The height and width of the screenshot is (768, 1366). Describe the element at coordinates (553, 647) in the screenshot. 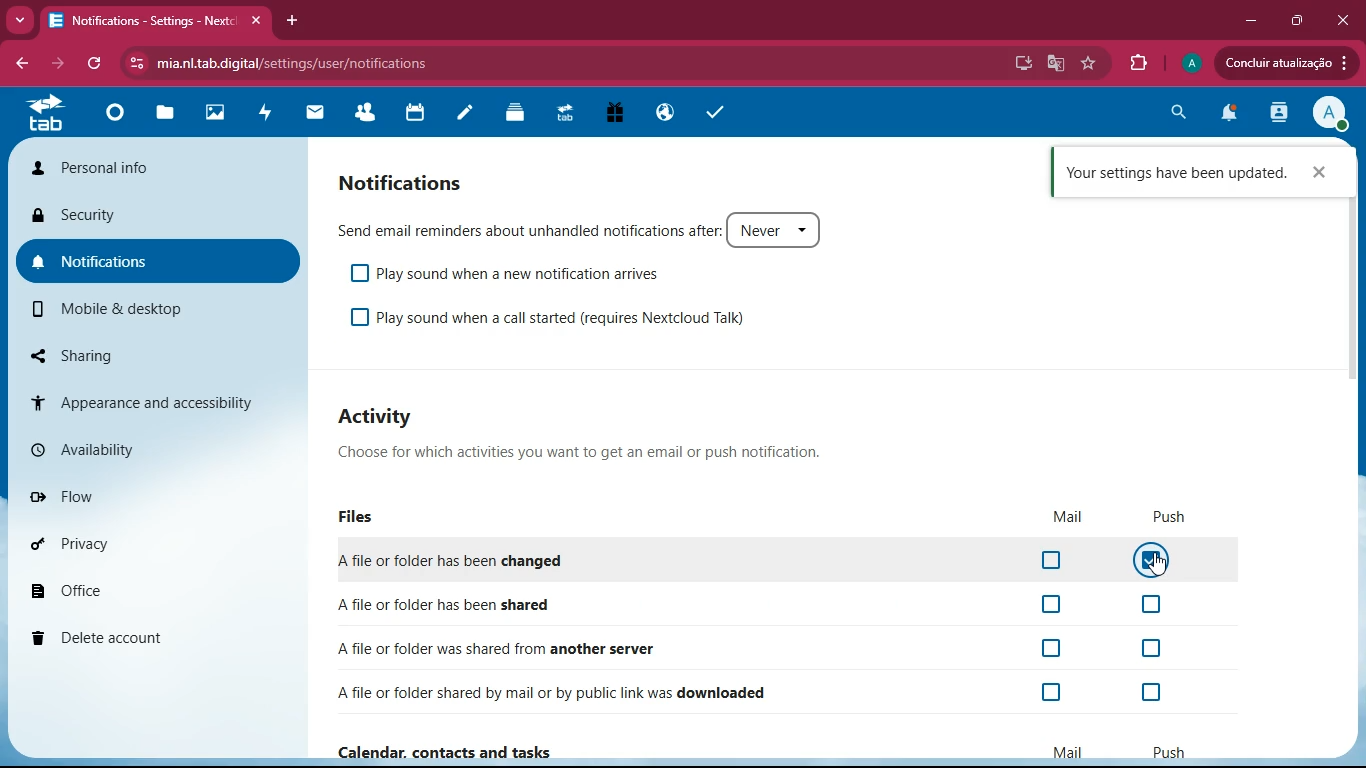

I see `another server` at that location.